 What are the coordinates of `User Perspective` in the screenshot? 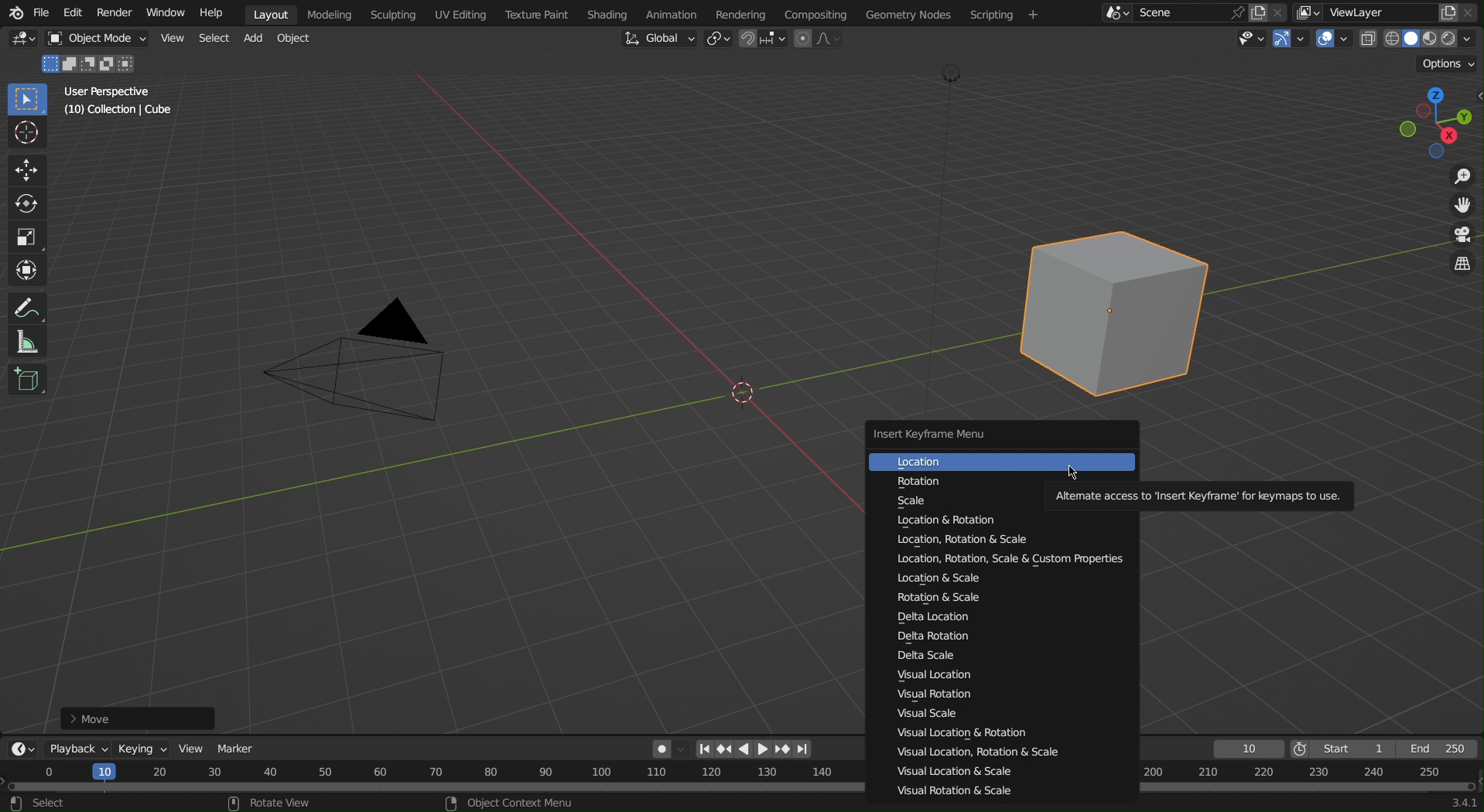 It's located at (114, 94).